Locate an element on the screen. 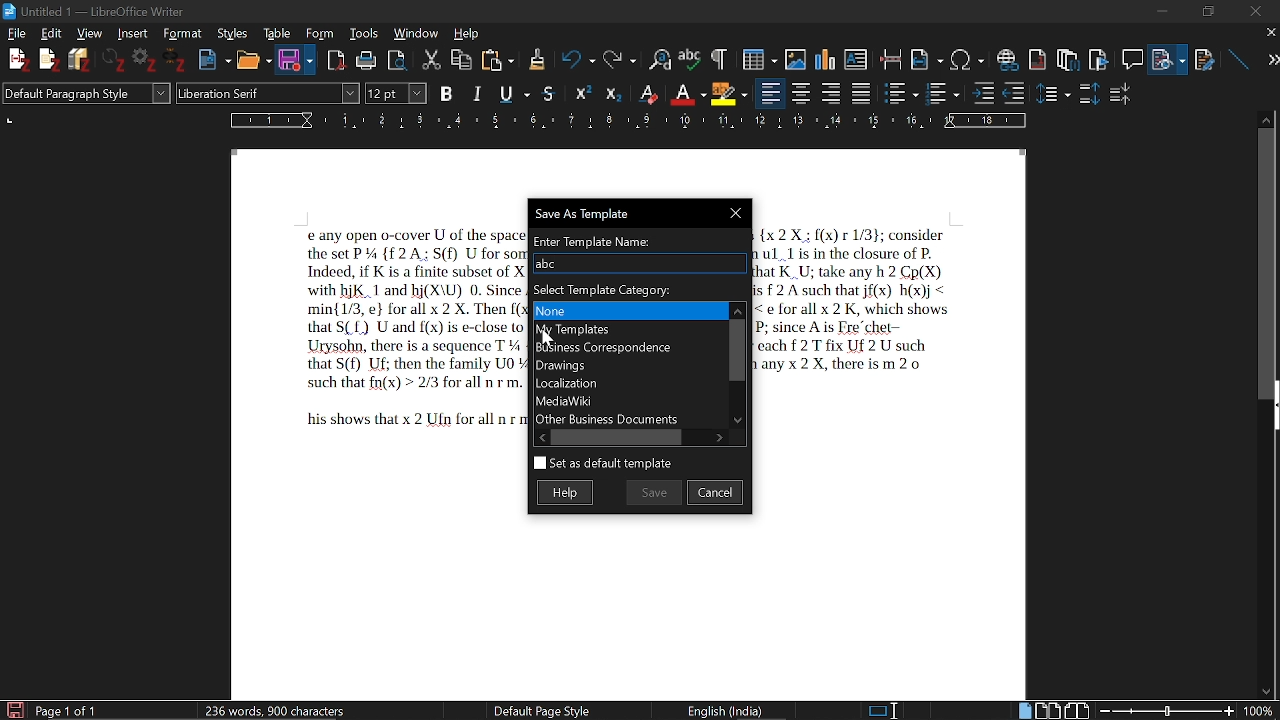 This screenshot has height=720, width=1280. B is located at coordinates (447, 92).